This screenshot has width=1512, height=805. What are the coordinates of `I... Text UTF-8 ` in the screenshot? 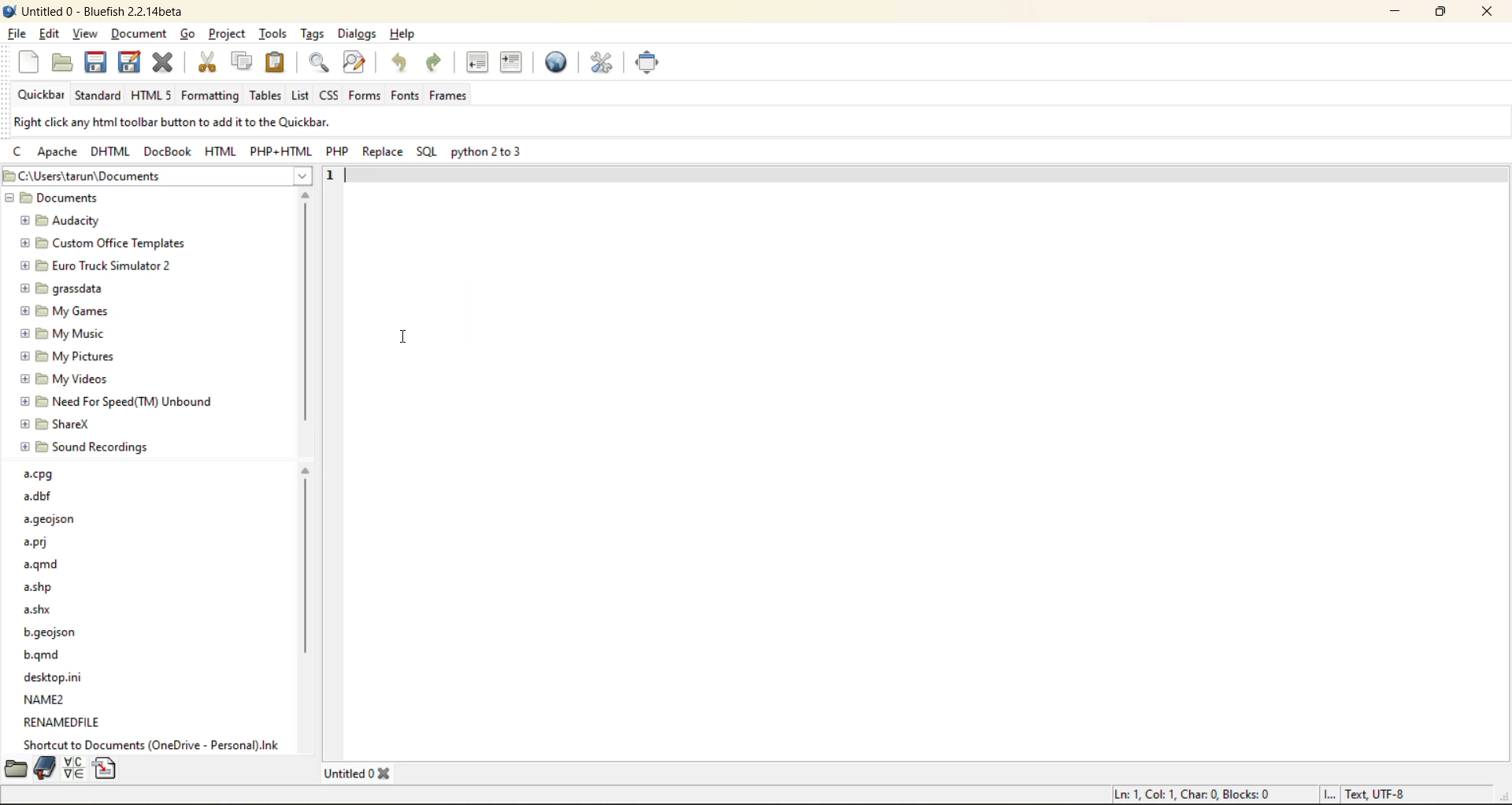 It's located at (1366, 793).